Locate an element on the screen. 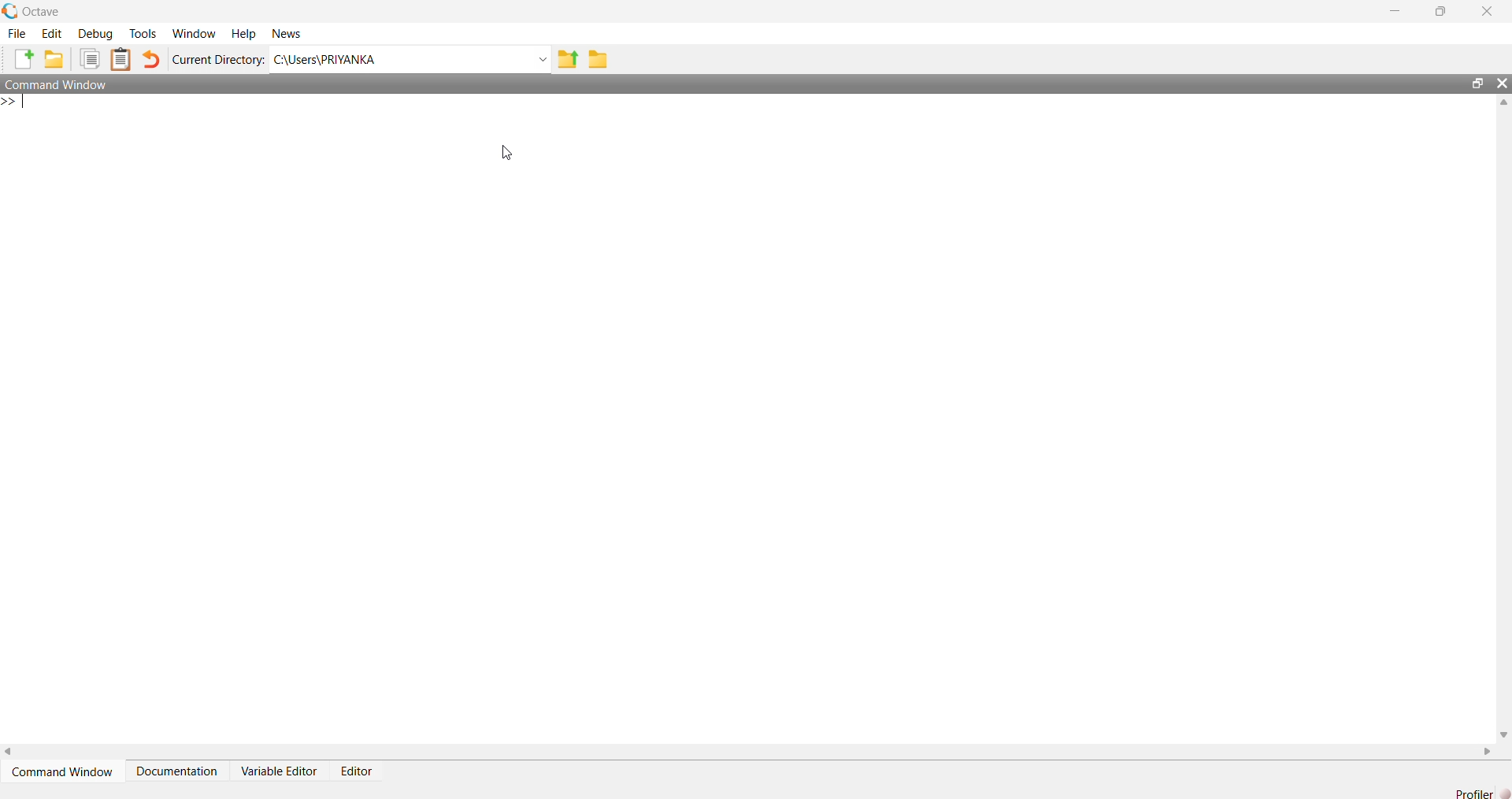 The height and width of the screenshot is (799, 1512). One directory up is located at coordinates (568, 59).